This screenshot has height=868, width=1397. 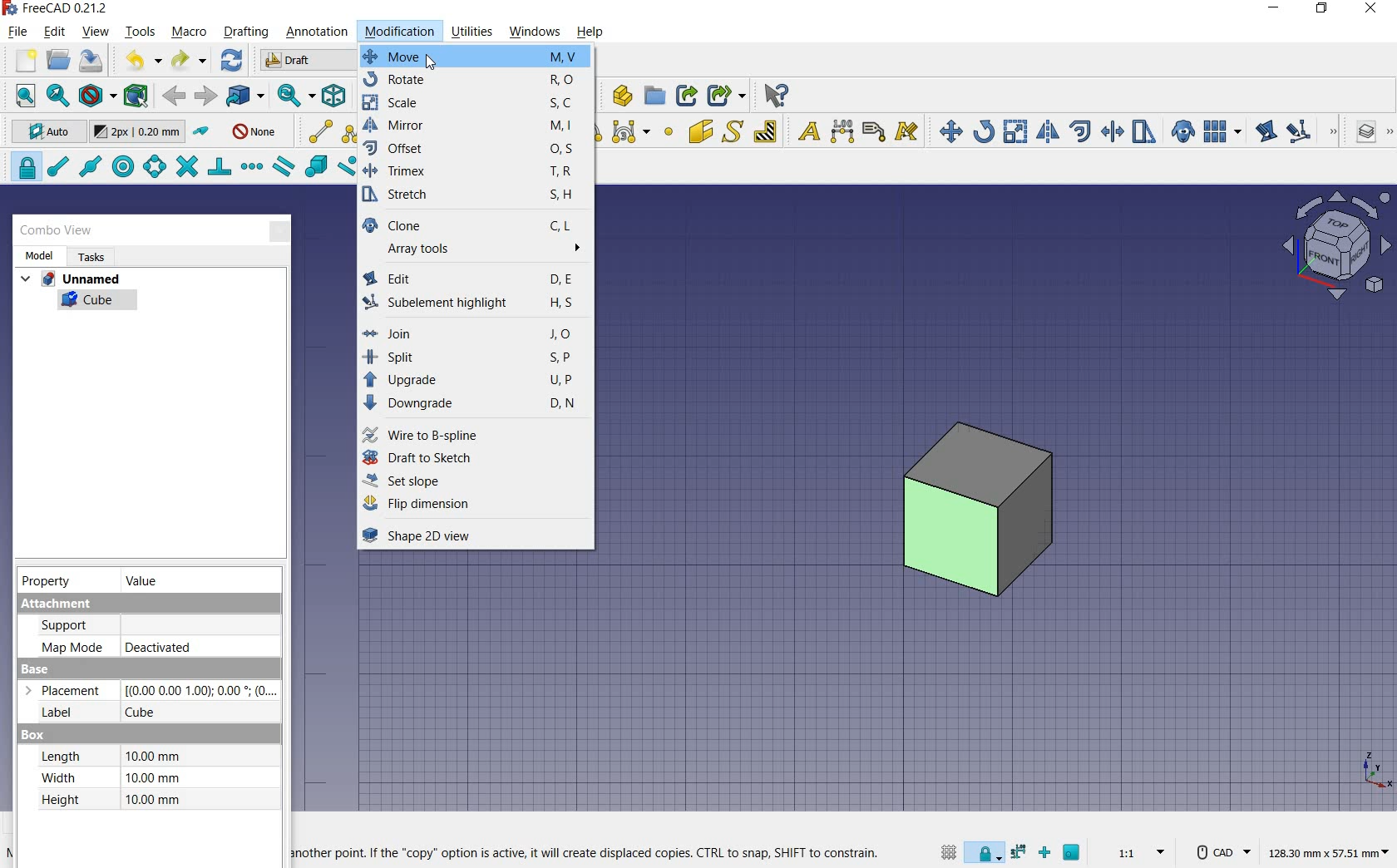 What do you see at coordinates (254, 133) in the screenshot?
I see `autogroup off` at bounding box center [254, 133].